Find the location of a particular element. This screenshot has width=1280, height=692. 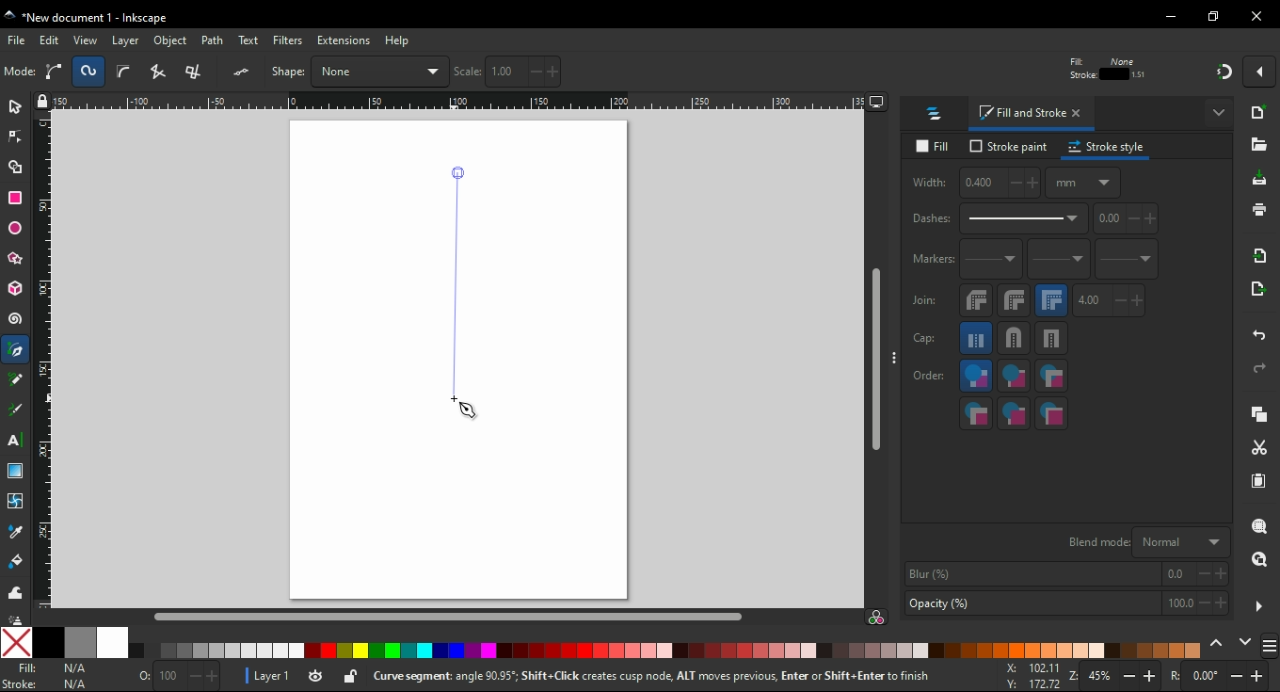

pen tool is located at coordinates (17, 351).